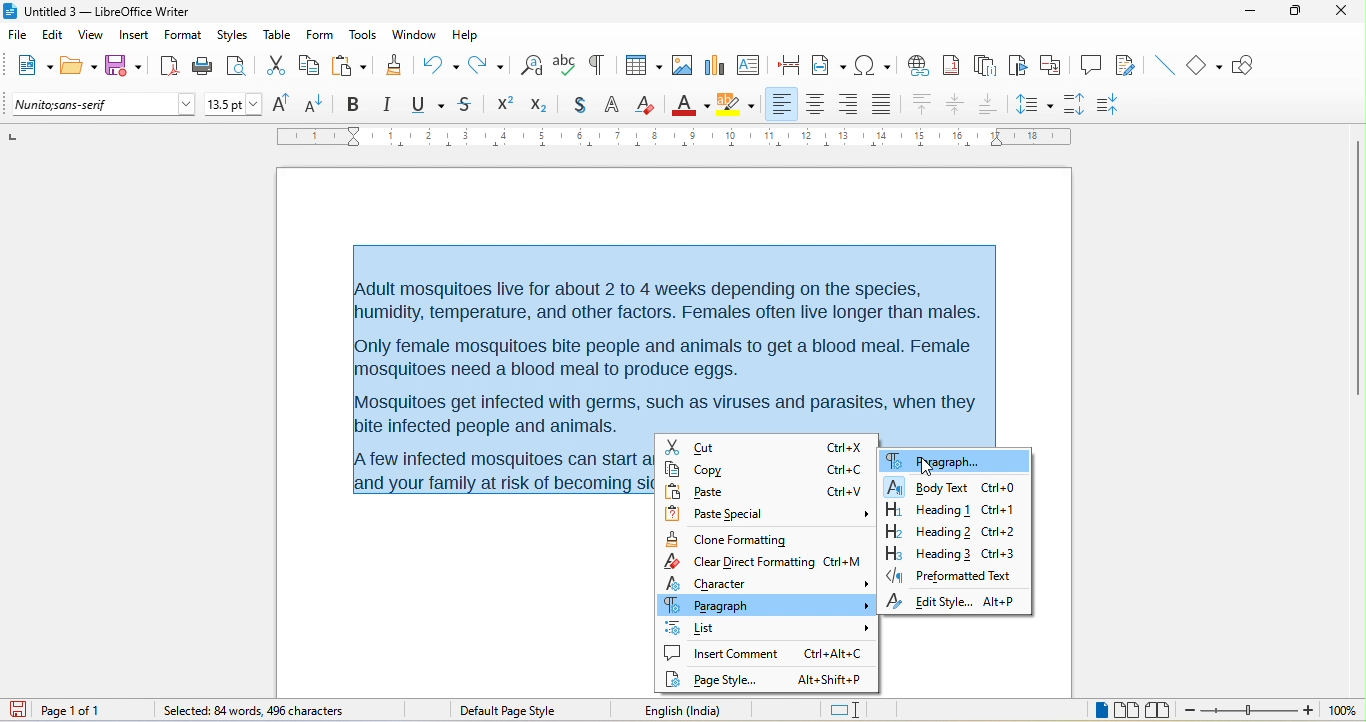  Describe the element at coordinates (1001, 488) in the screenshot. I see `shortcut key` at that location.